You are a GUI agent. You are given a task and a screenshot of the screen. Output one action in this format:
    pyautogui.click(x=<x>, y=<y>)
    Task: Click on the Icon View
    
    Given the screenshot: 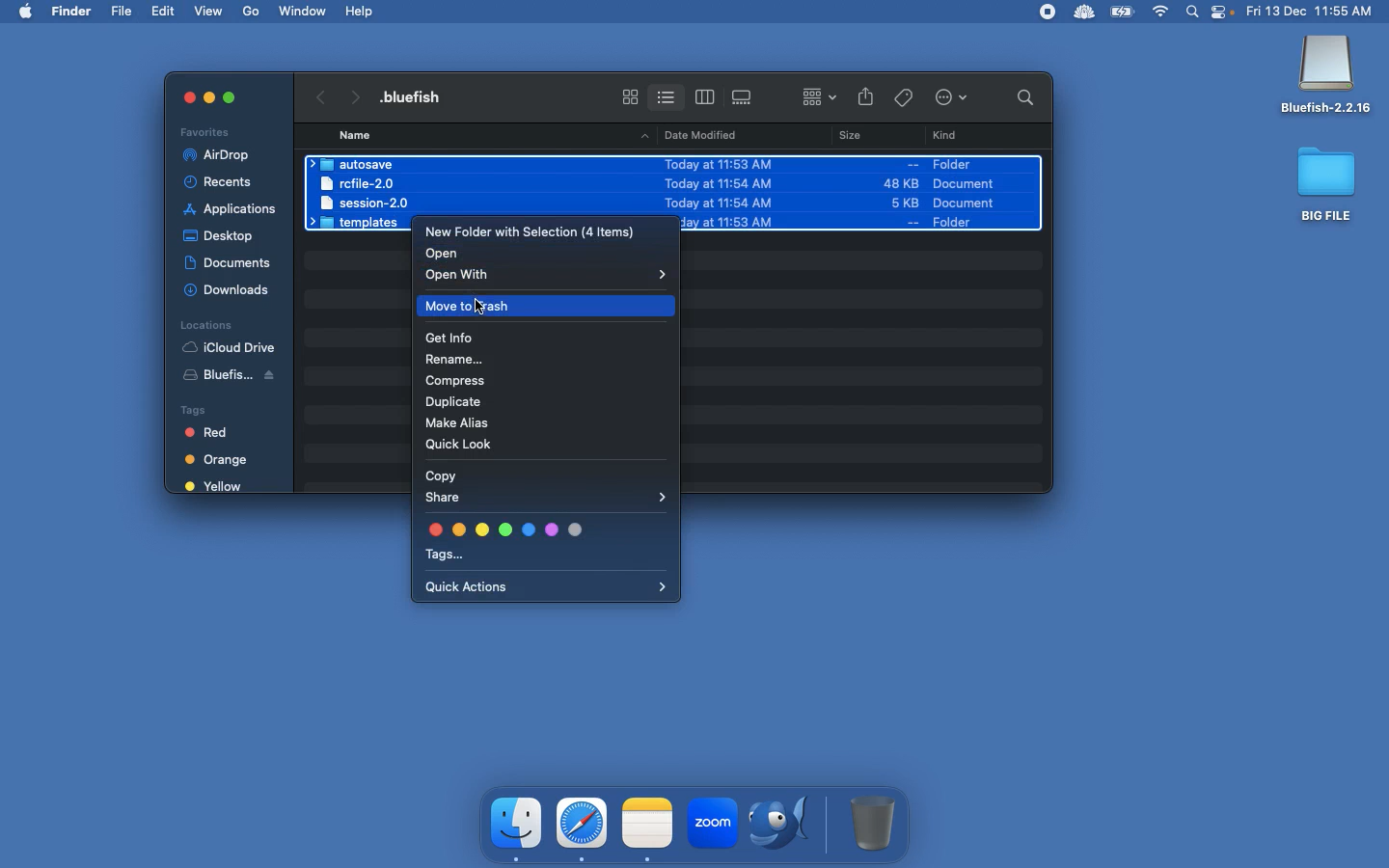 What is the action you would take?
    pyautogui.click(x=630, y=96)
    